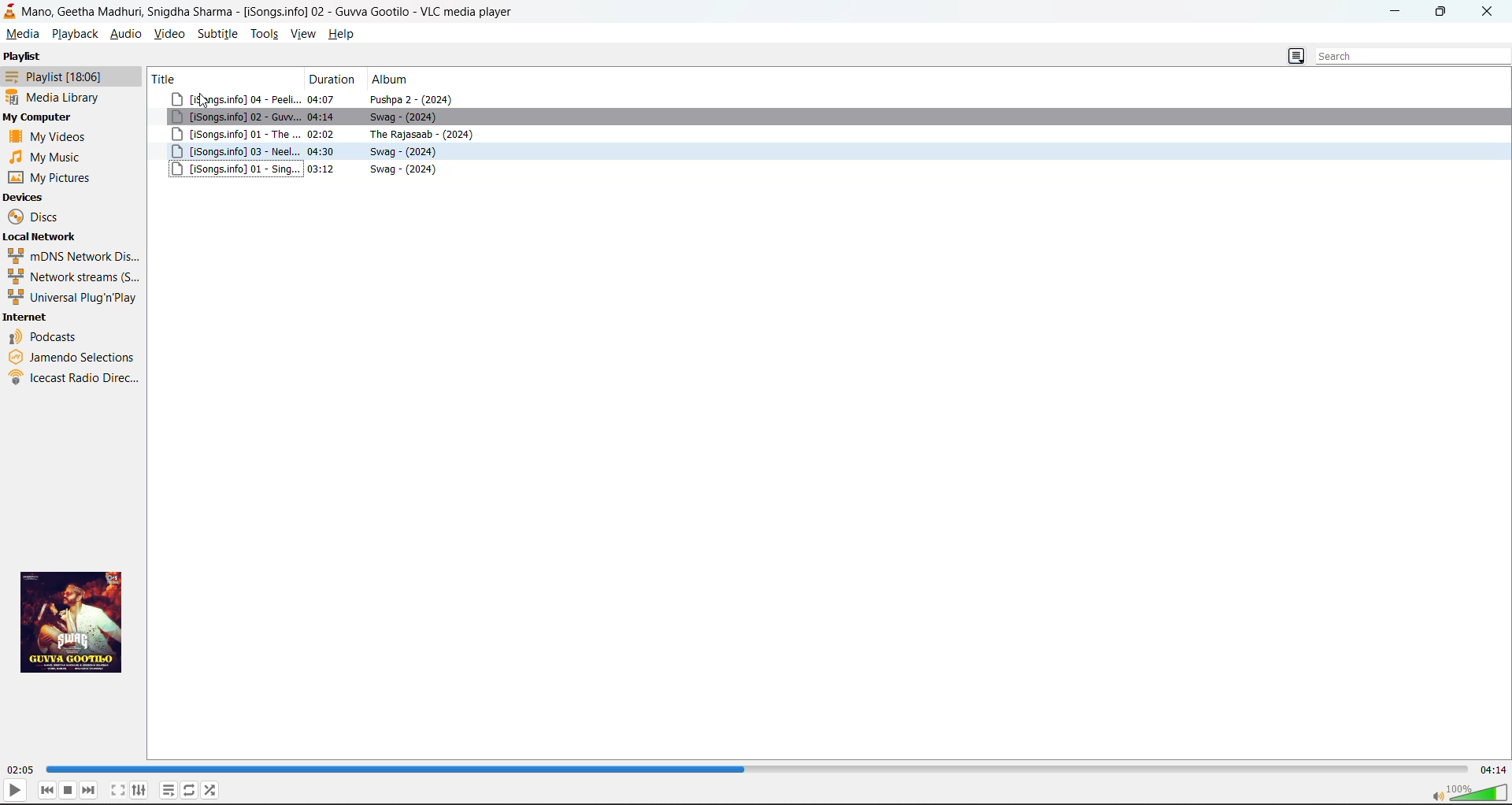 The image size is (1512, 805). What do you see at coordinates (39, 236) in the screenshot?
I see `local network` at bounding box center [39, 236].